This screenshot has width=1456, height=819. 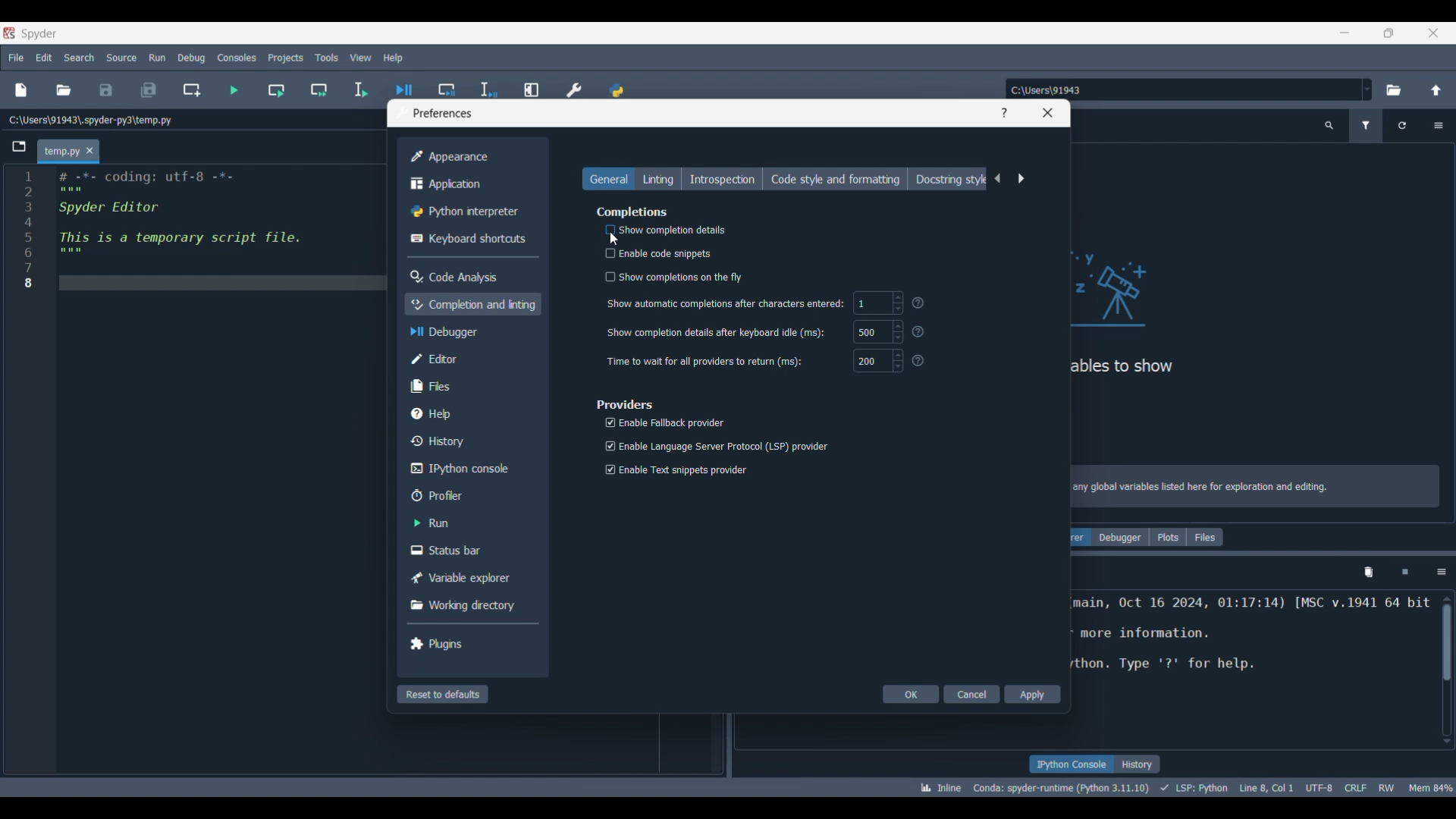 What do you see at coordinates (469, 549) in the screenshot?
I see `Status bar` at bounding box center [469, 549].